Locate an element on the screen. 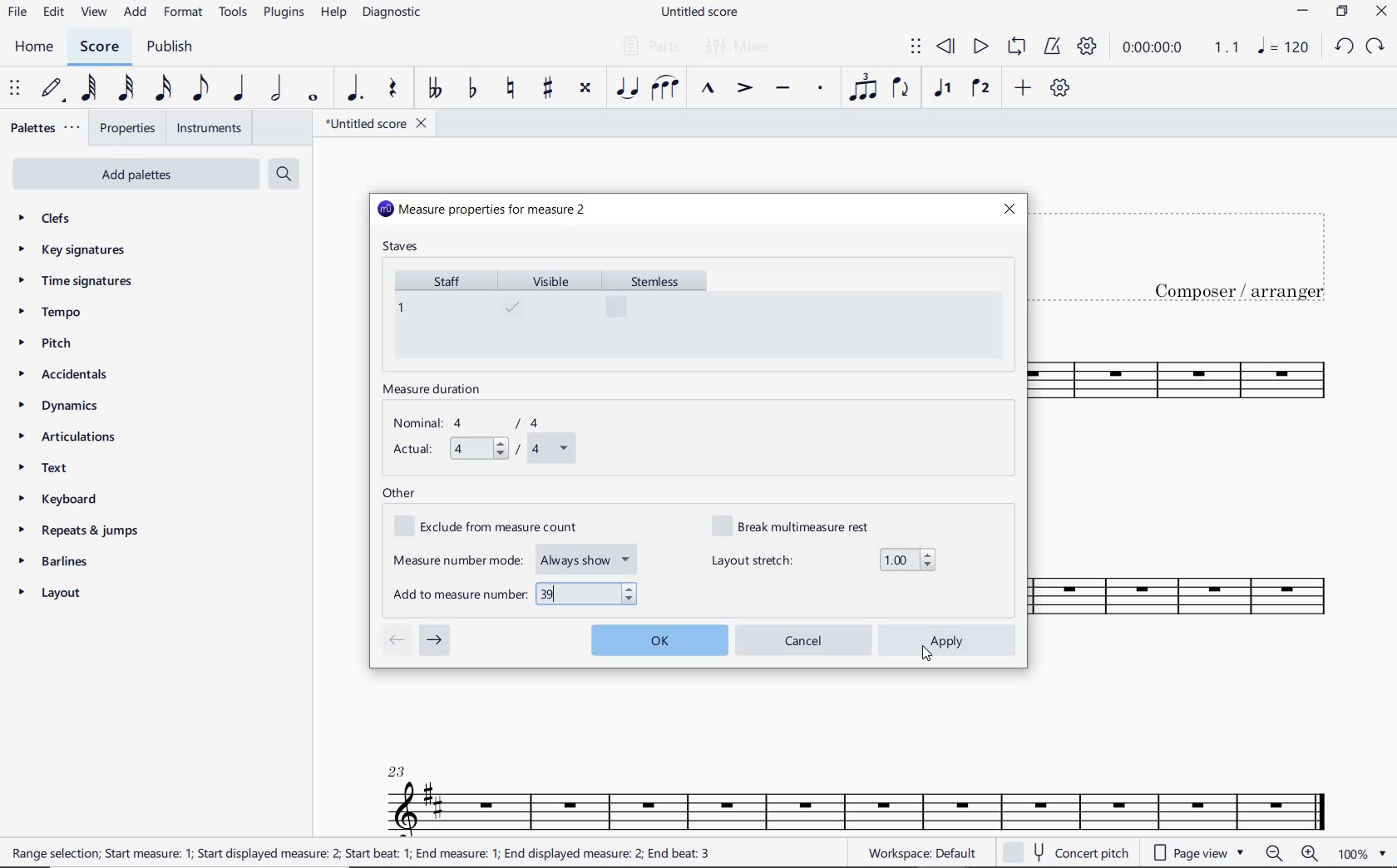 The image size is (1397, 868). LOOP PLAYBACK is located at coordinates (1016, 48).